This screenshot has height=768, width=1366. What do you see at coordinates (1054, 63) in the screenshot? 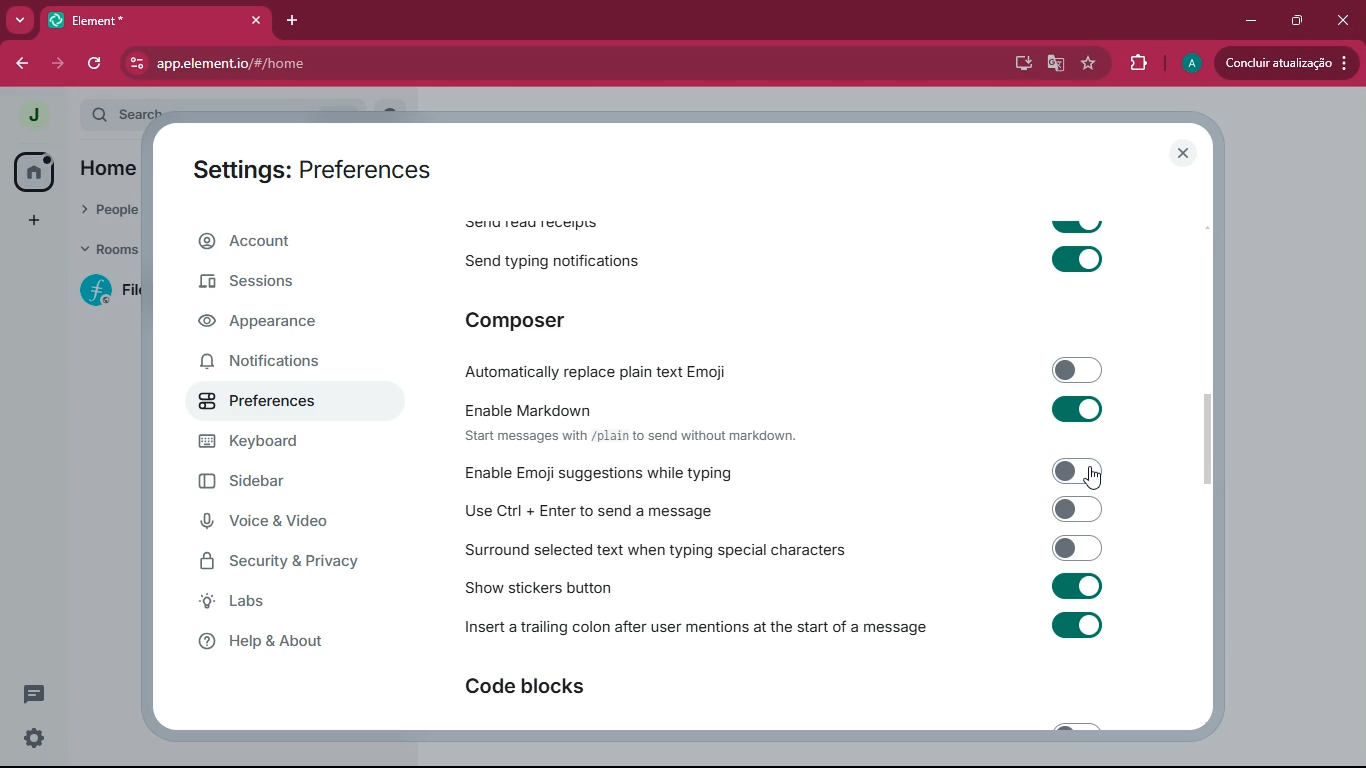
I see `google translate` at bounding box center [1054, 63].